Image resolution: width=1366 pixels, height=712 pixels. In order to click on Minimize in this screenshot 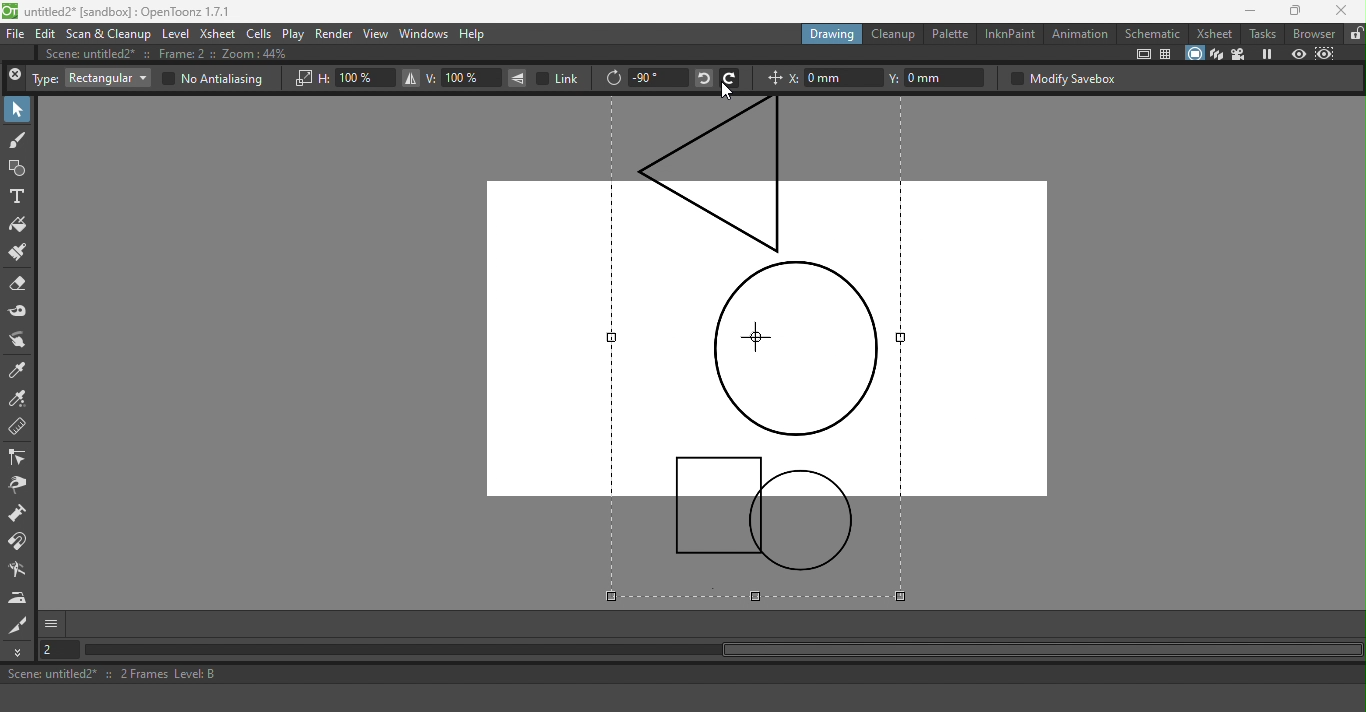, I will do `click(1243, 11)`.